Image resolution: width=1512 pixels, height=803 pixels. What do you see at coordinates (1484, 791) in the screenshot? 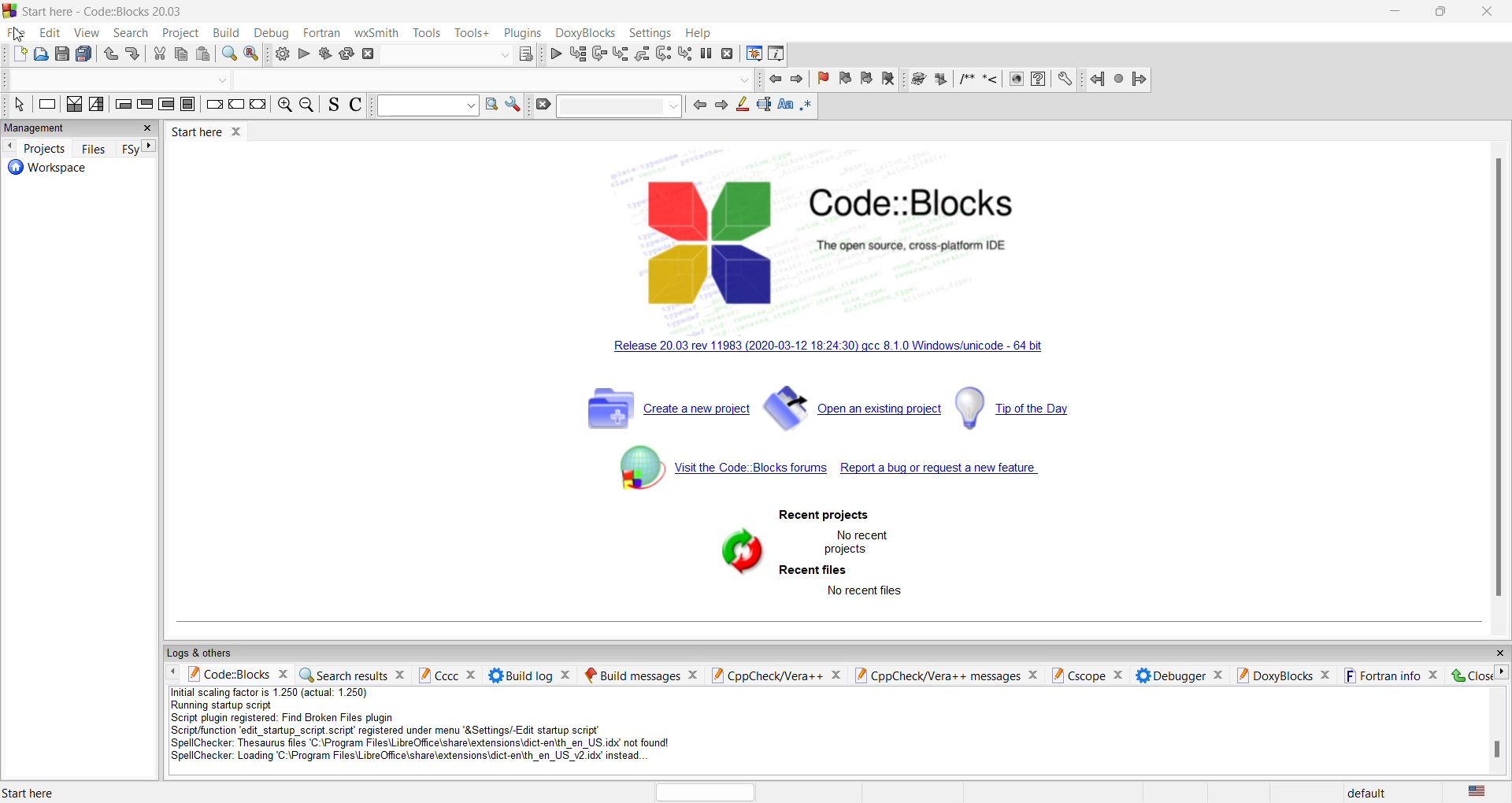
I see `text language` at bounding box center [1484, 791].